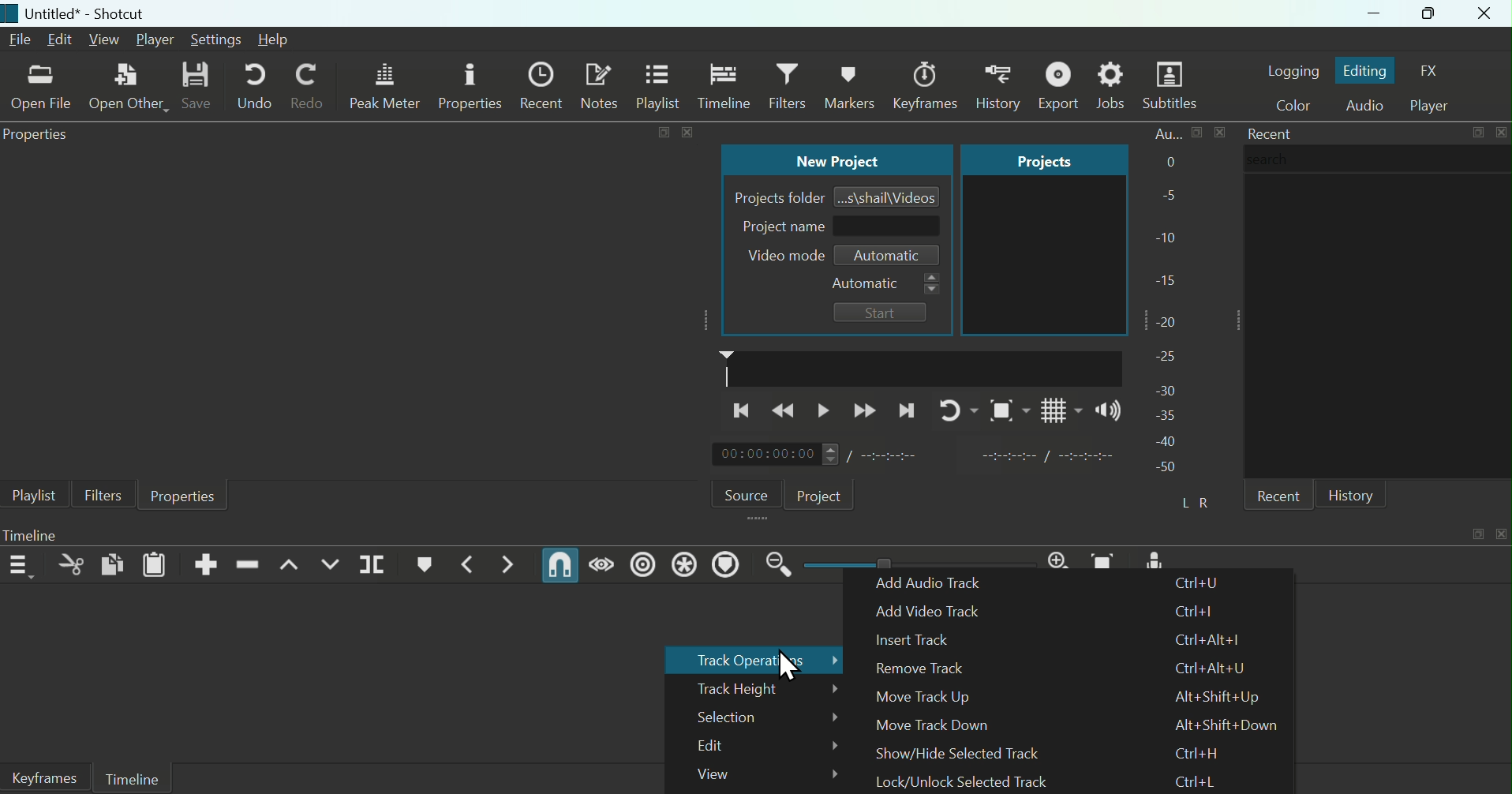 This screenshot has height=794, width=1512. What do you see at coordinates (826, 409) in the screenshot?
I see `Play/Pause` at bounding box center [826, 409].